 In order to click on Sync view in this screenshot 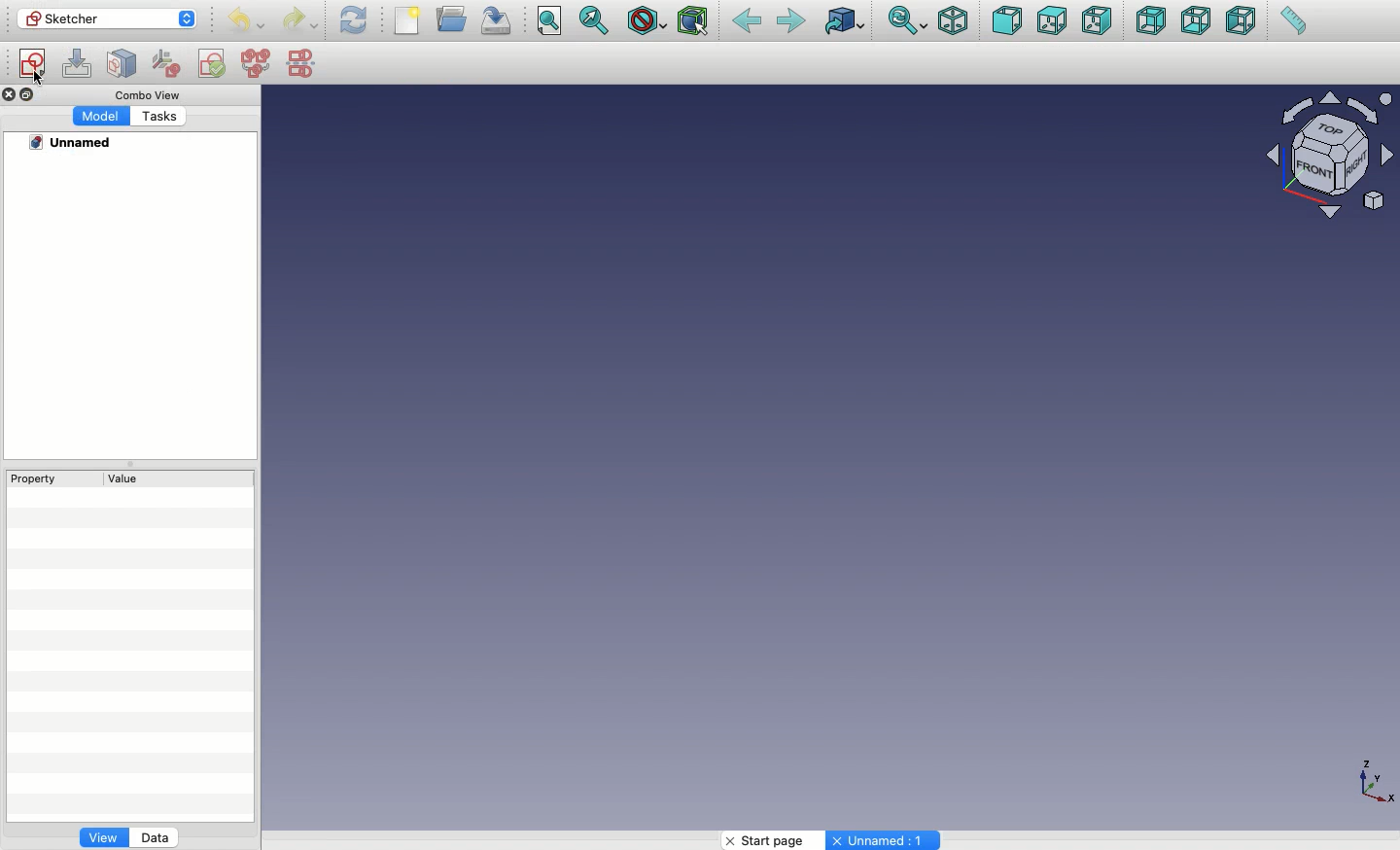, I will do `click(907, 20)`.